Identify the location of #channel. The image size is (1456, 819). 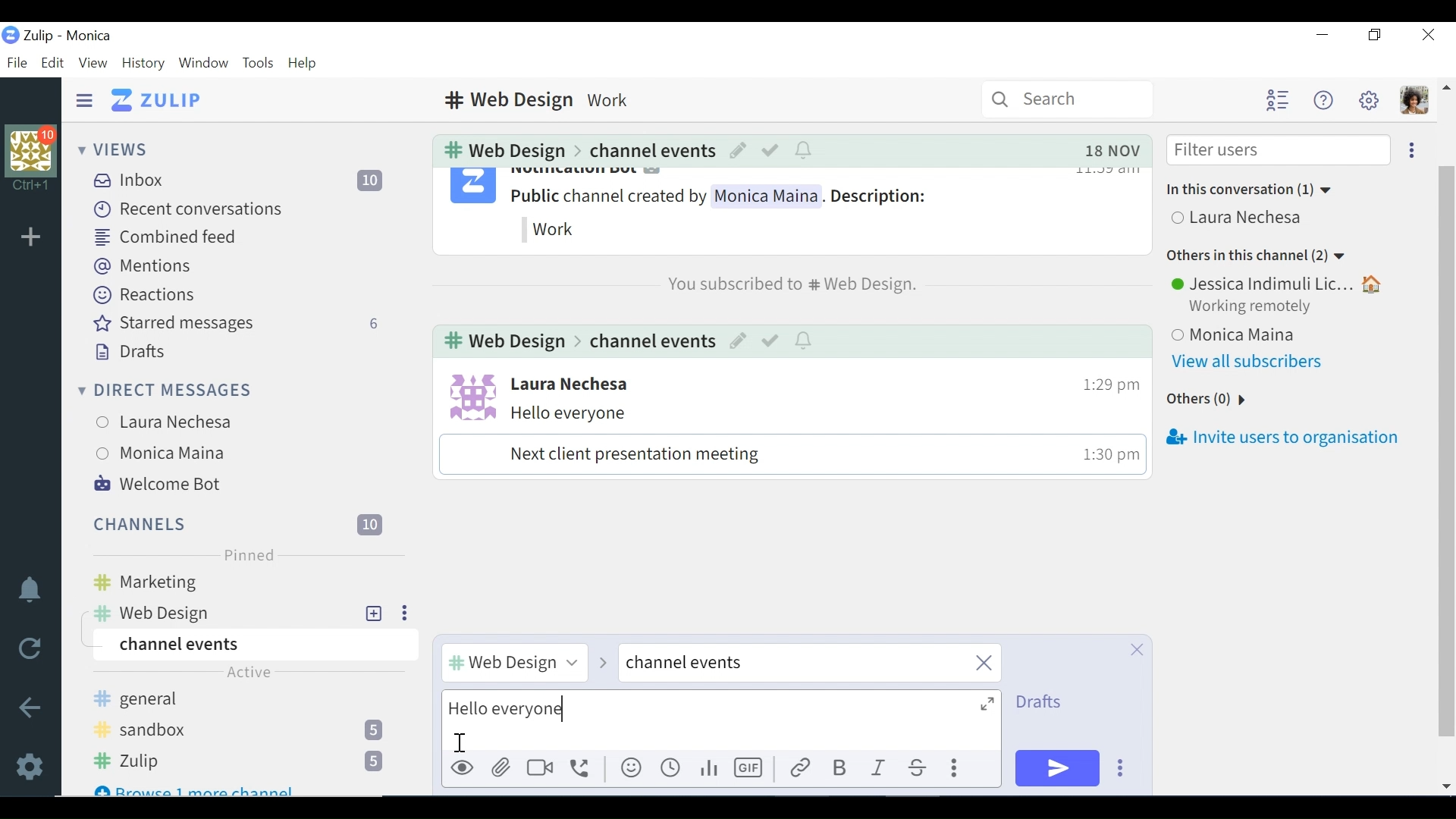
(512, 661).